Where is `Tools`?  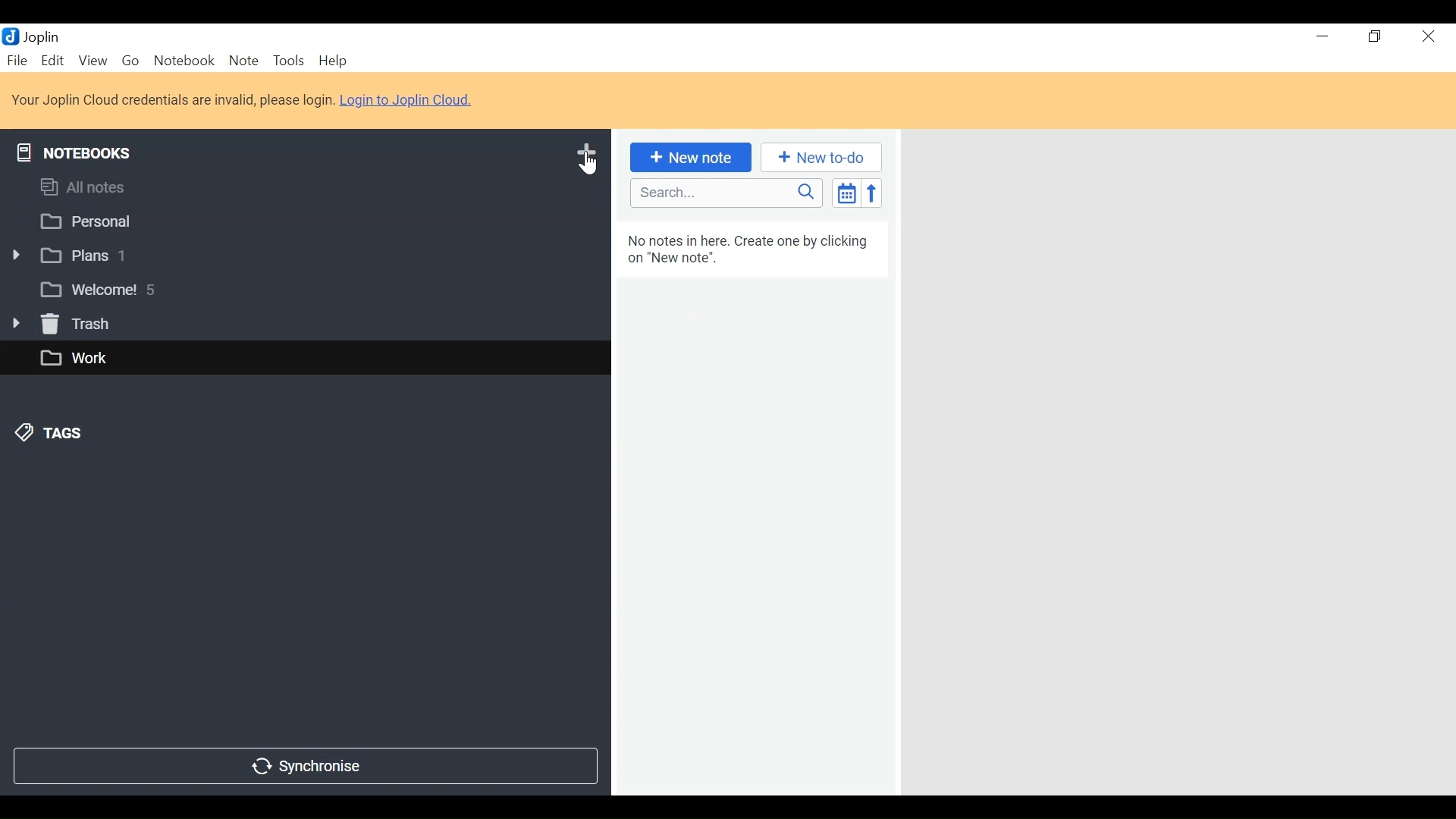 Tools is located at coordinates (287, 60).